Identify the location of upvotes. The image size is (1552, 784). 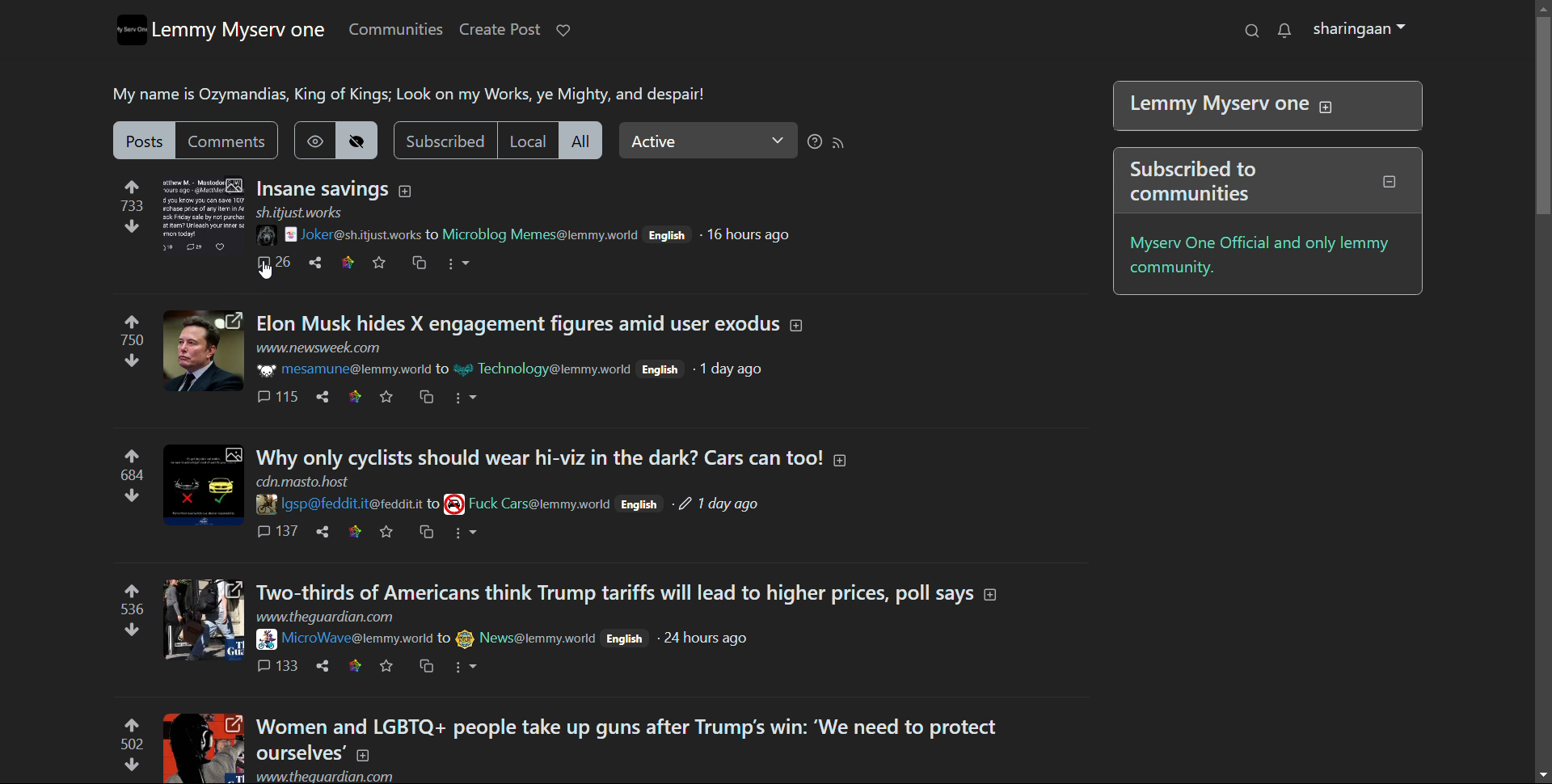
(133, 452).